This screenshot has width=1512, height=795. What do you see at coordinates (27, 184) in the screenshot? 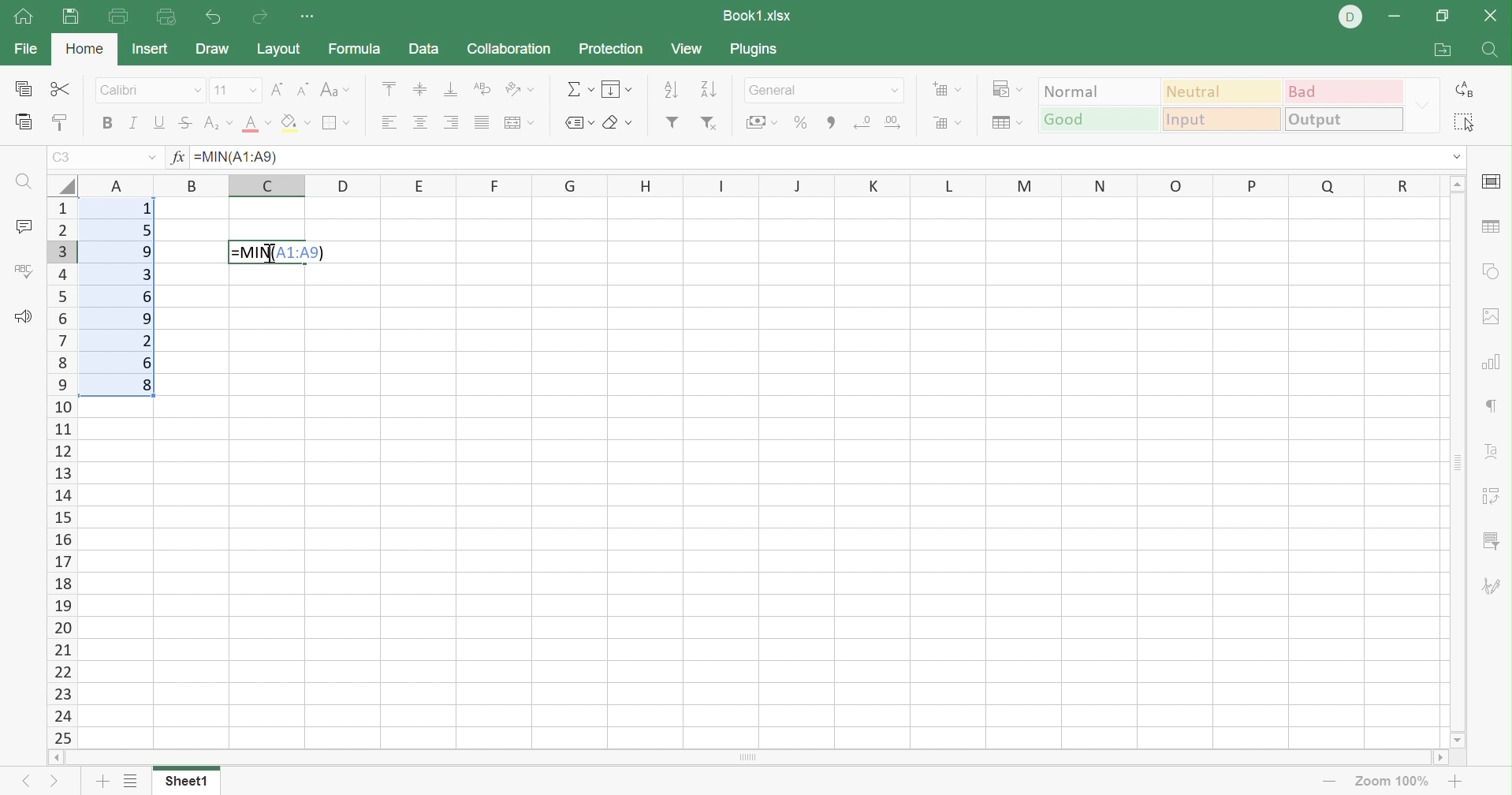
I see `Find` at bounding box center [27, 184].